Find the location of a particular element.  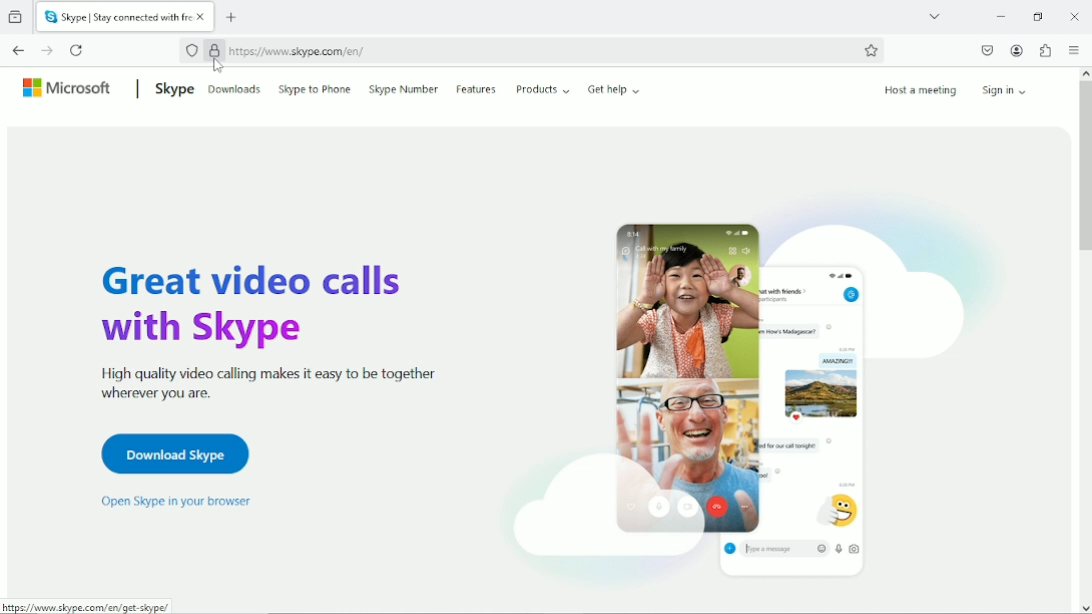

Verified by Microsoft Corporation is located at coordinates (214, 50).